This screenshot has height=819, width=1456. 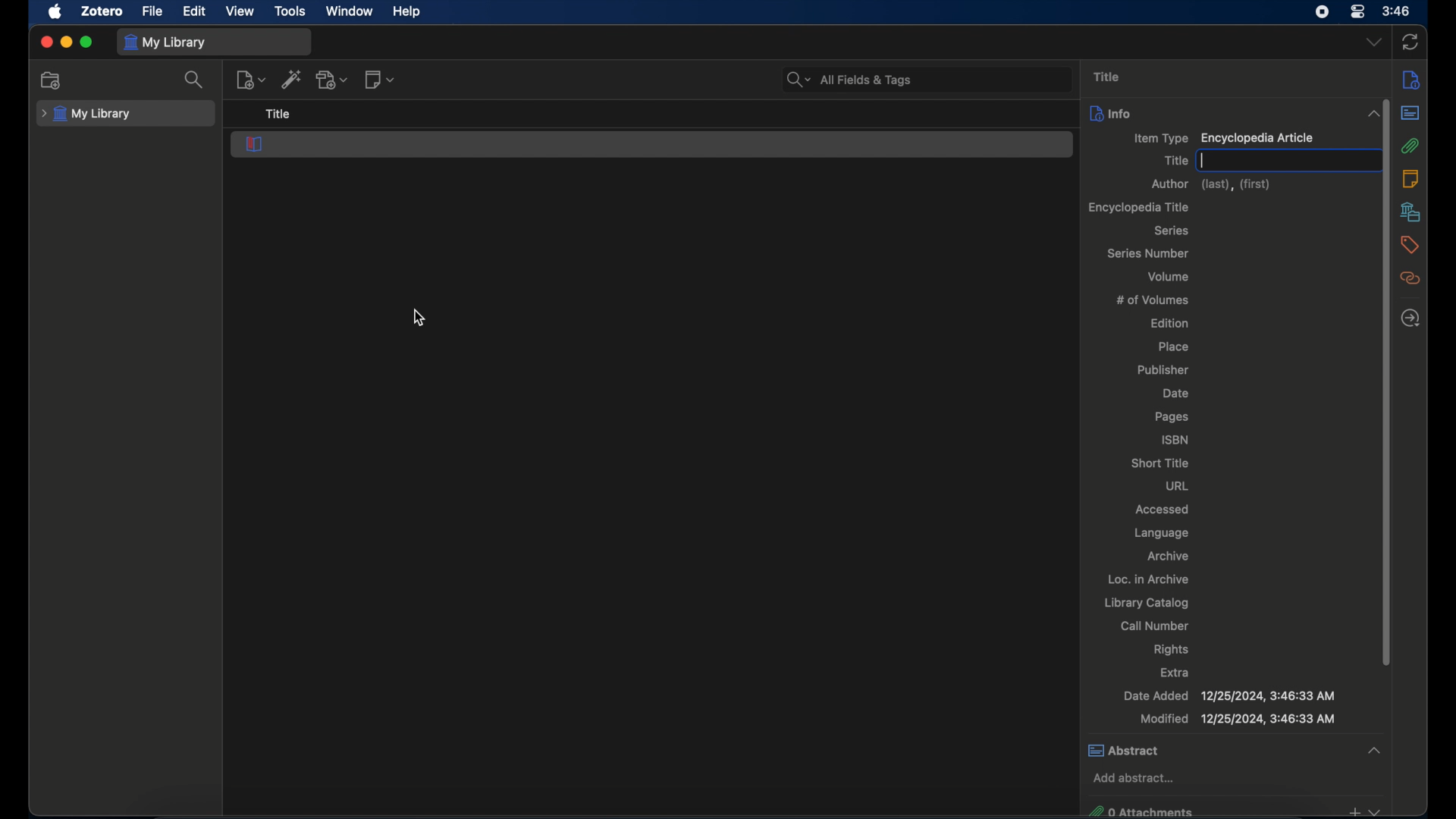 What do you see at coordinates (1161, 533) in the screenshot?
I see `language` at bounding box center [1161, 533].